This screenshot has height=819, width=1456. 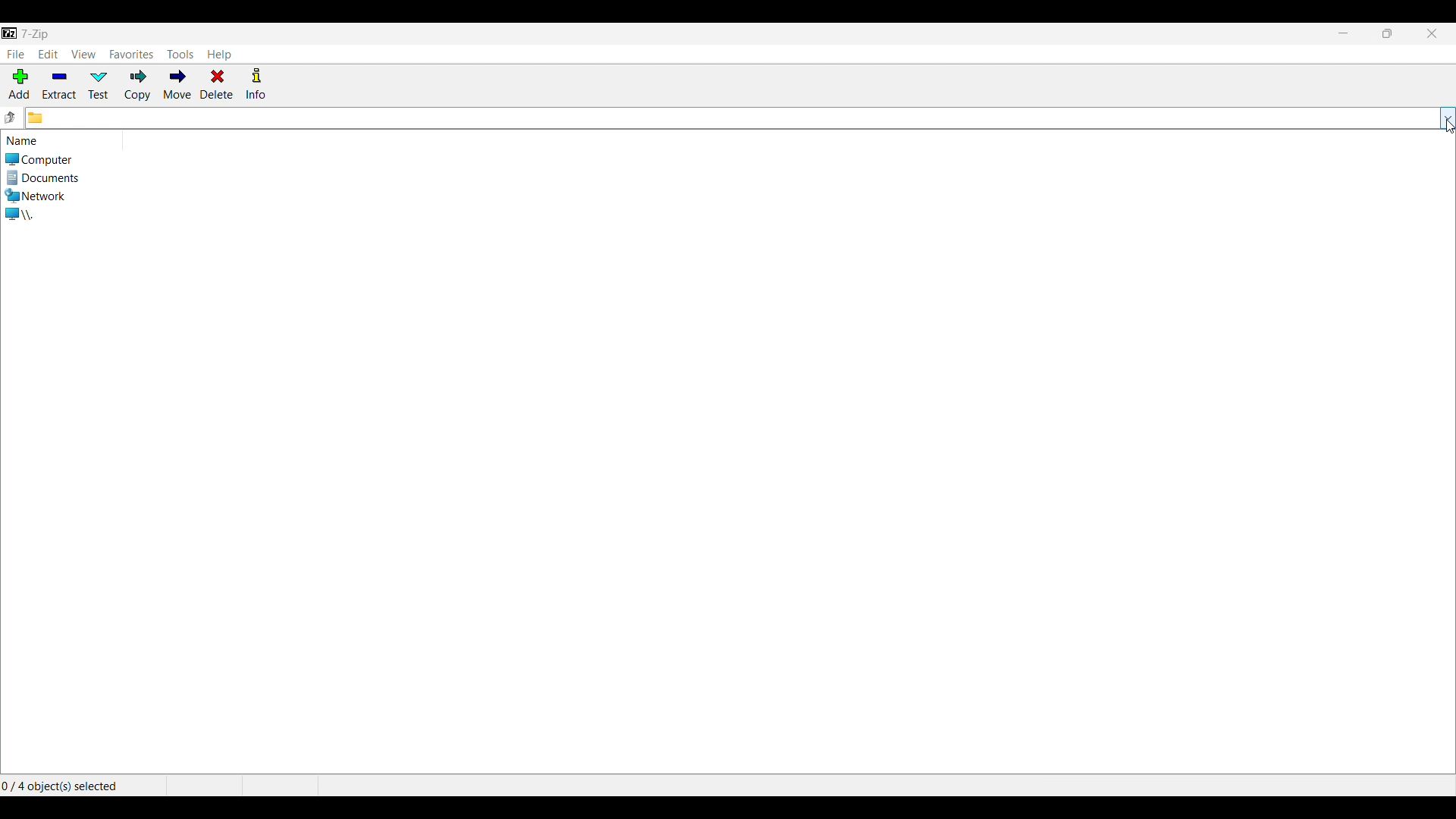 What do you see at coordinates (11, 118) in the screenshot?
I see `Go to previous folder` at bounding box center [11, 118].